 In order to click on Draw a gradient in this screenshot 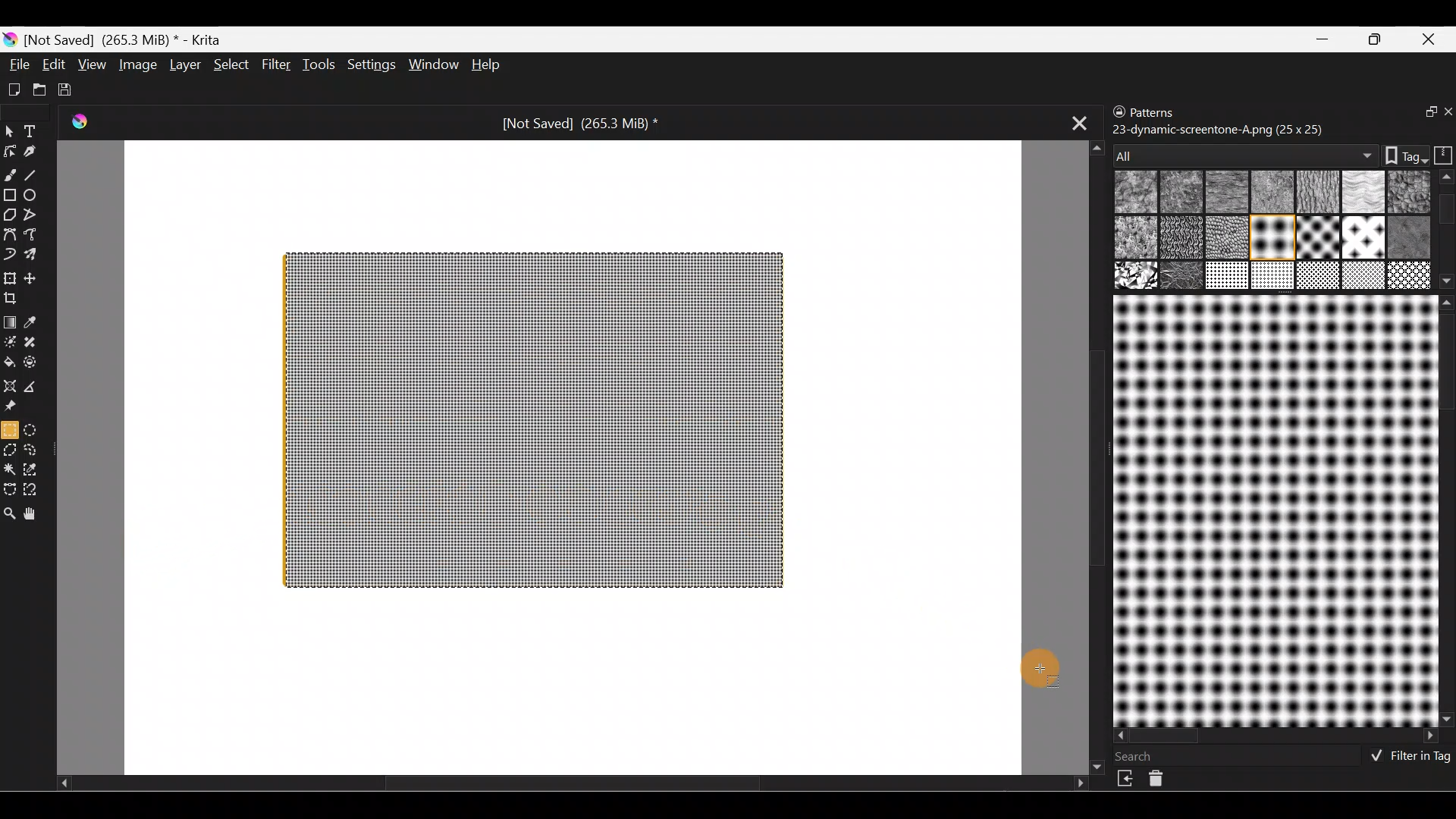, I will do `click(12, 318)`.